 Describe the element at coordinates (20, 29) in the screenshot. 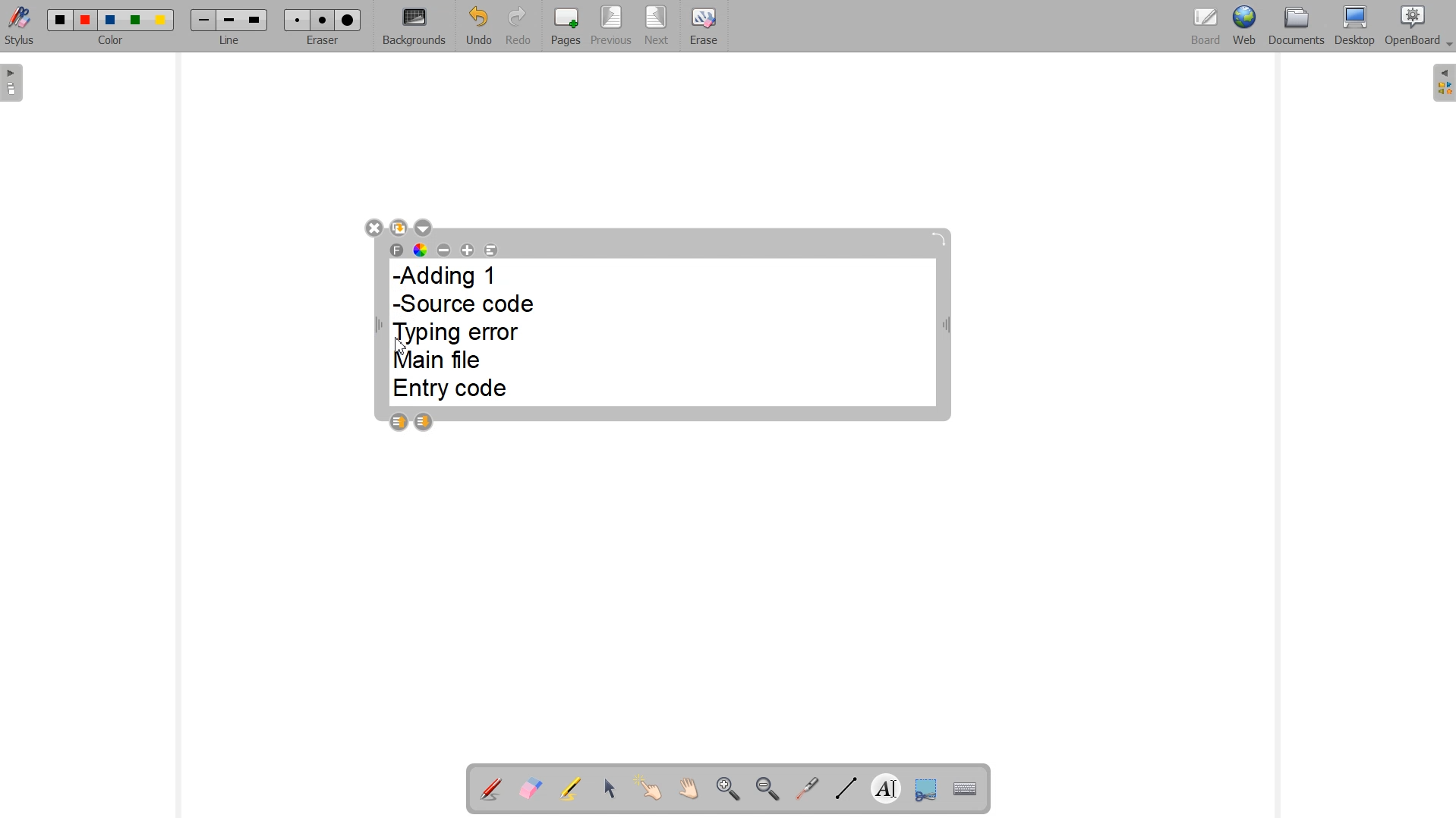

I see `Stylus` at that location.